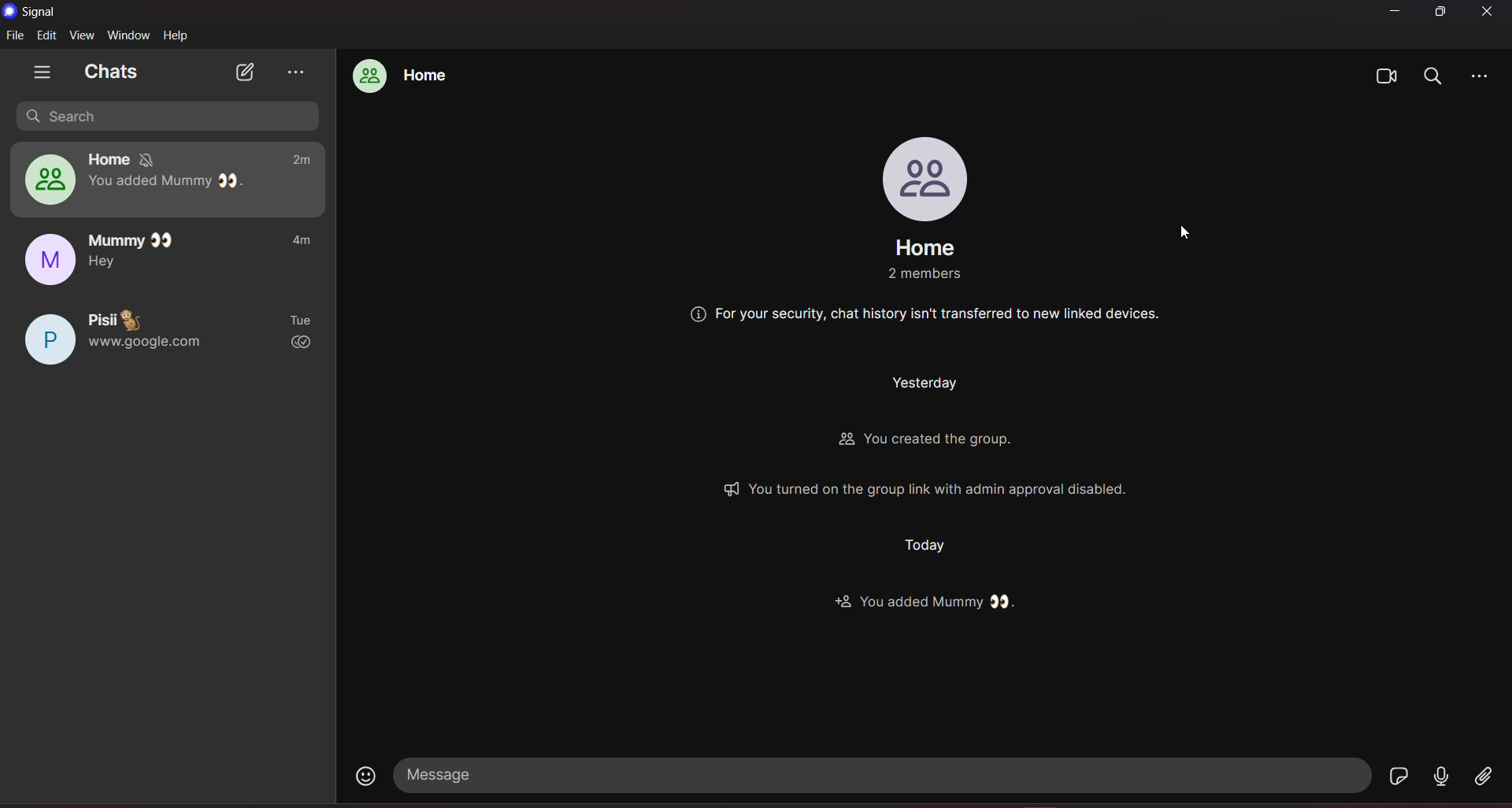  What do you see at coordinates (43, 11) in the screenshot?
I see `title` at bounding box center [43, 11].